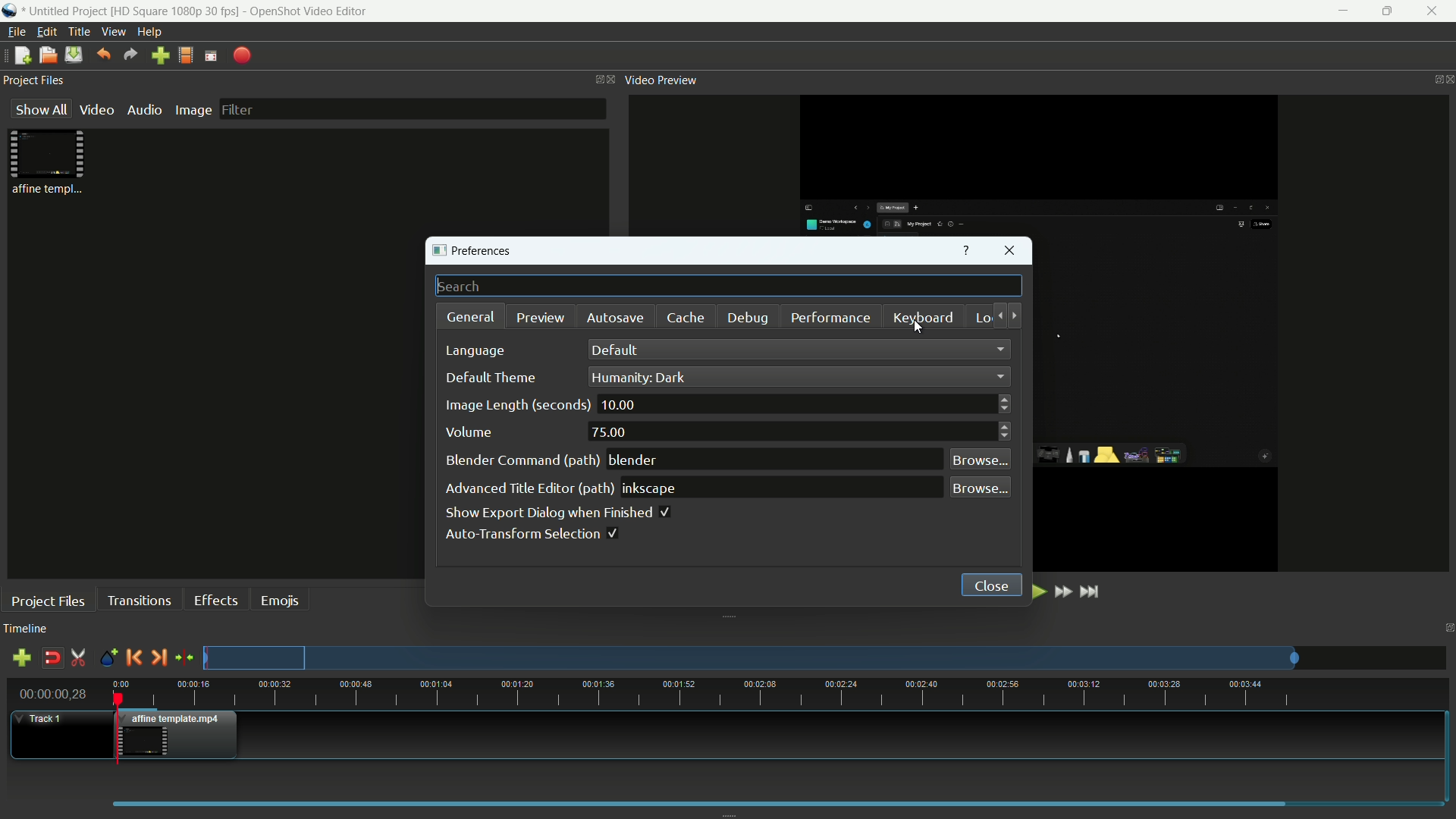 This screenshot has width=1456, height=819. Describe the element at coordinates (987, 583) in the screenshot. I see `close` at that location.